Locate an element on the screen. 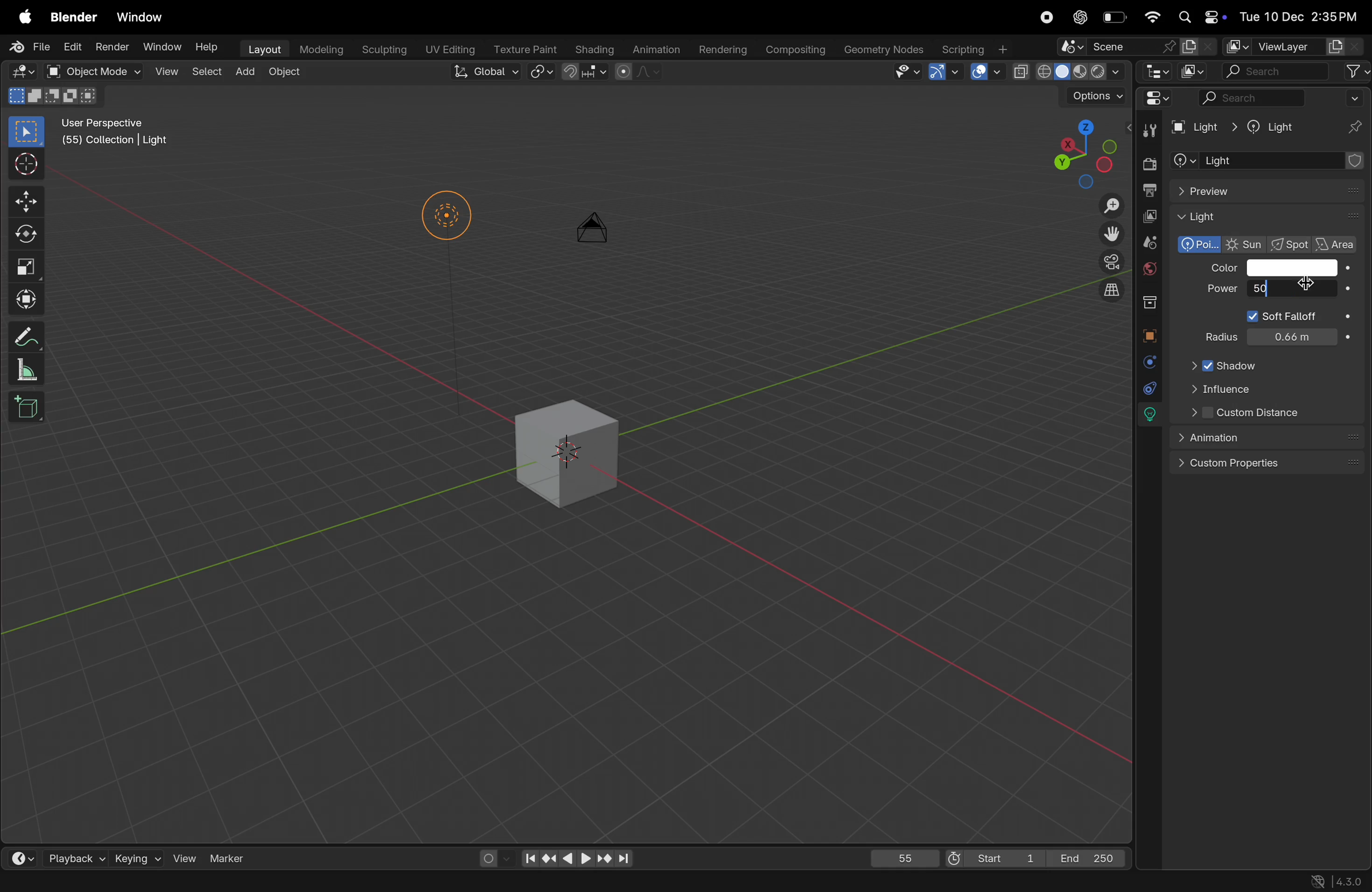  window is located at coordinates (142, 17).